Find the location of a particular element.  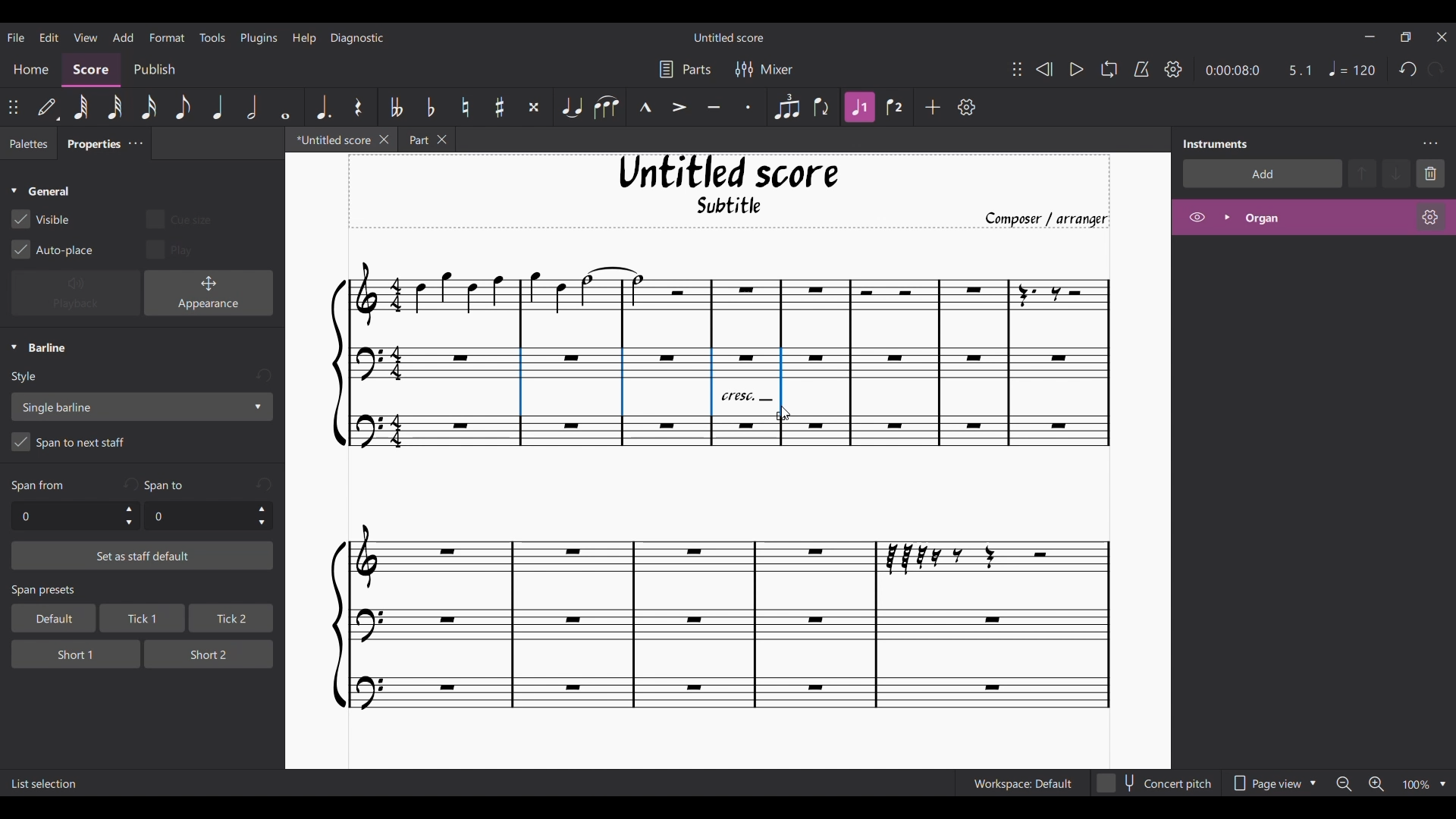

Undo input made is located at coordinates (264, 484).